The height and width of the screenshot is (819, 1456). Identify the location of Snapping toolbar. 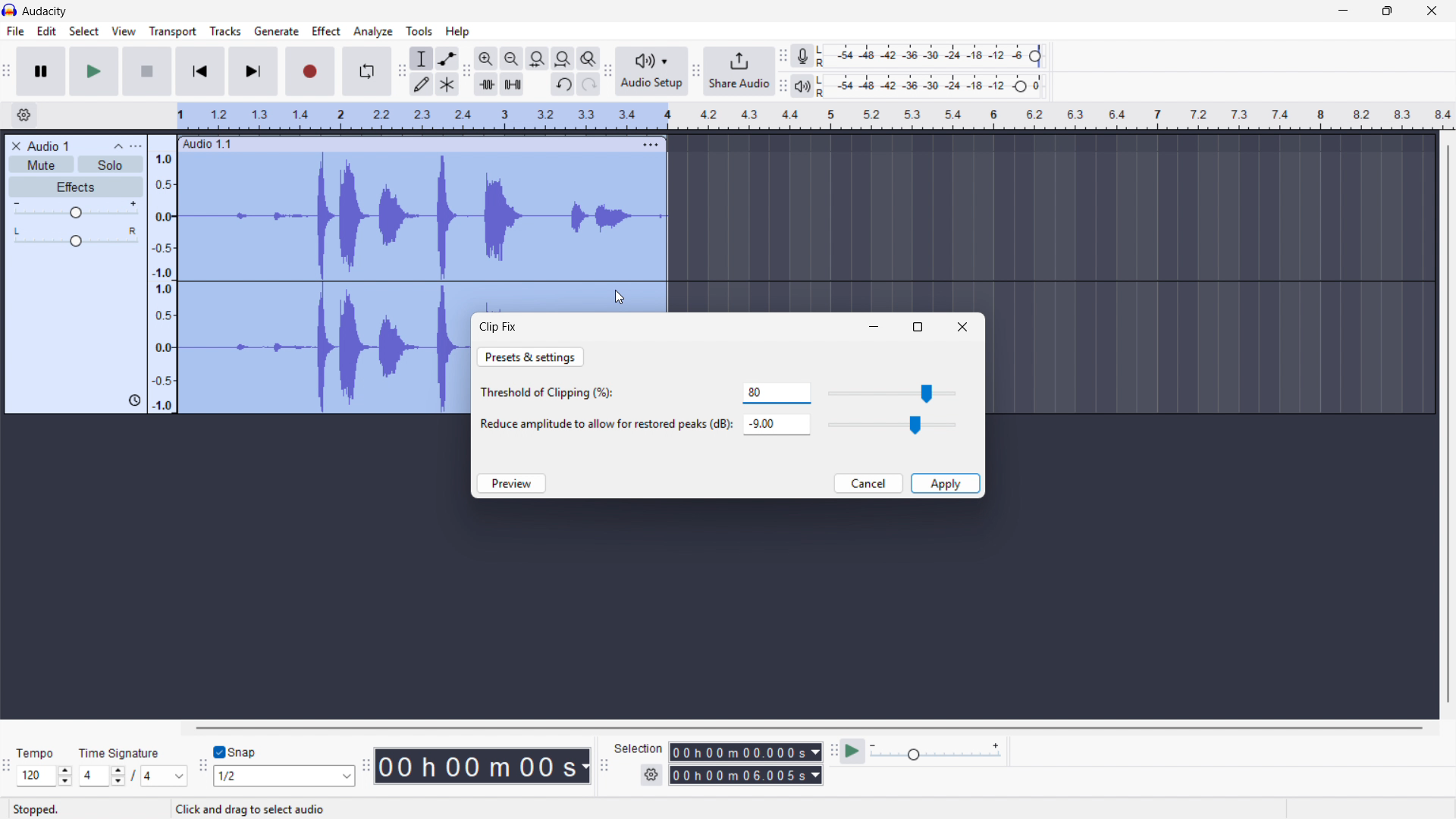
(203, 767).